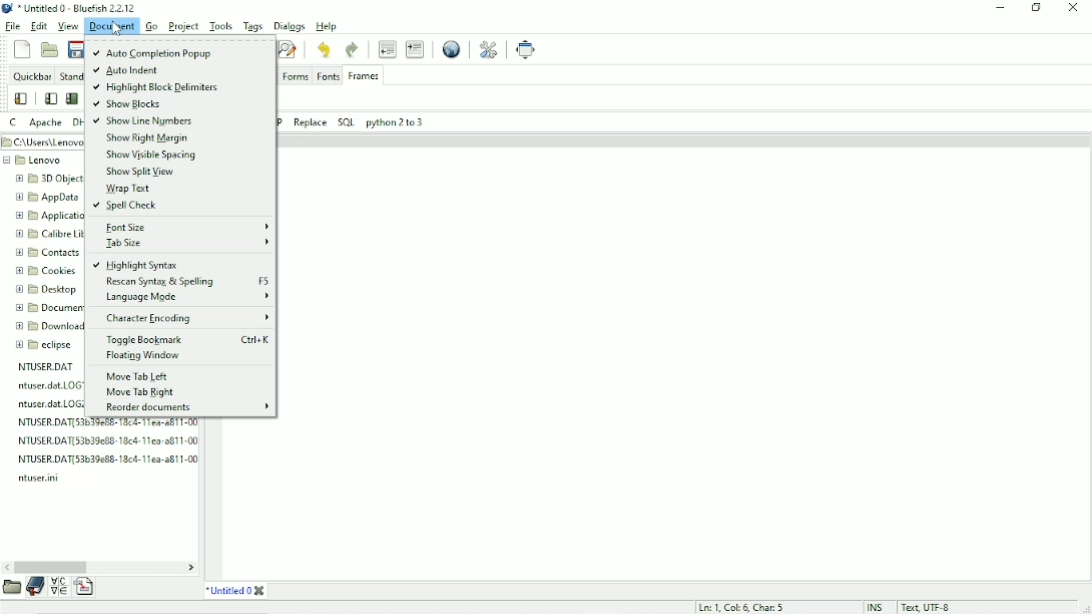 The image size is (1092, 614). Describe the element at coordinates (386, 47) in the screenshot. I see `Unindent` at that location.